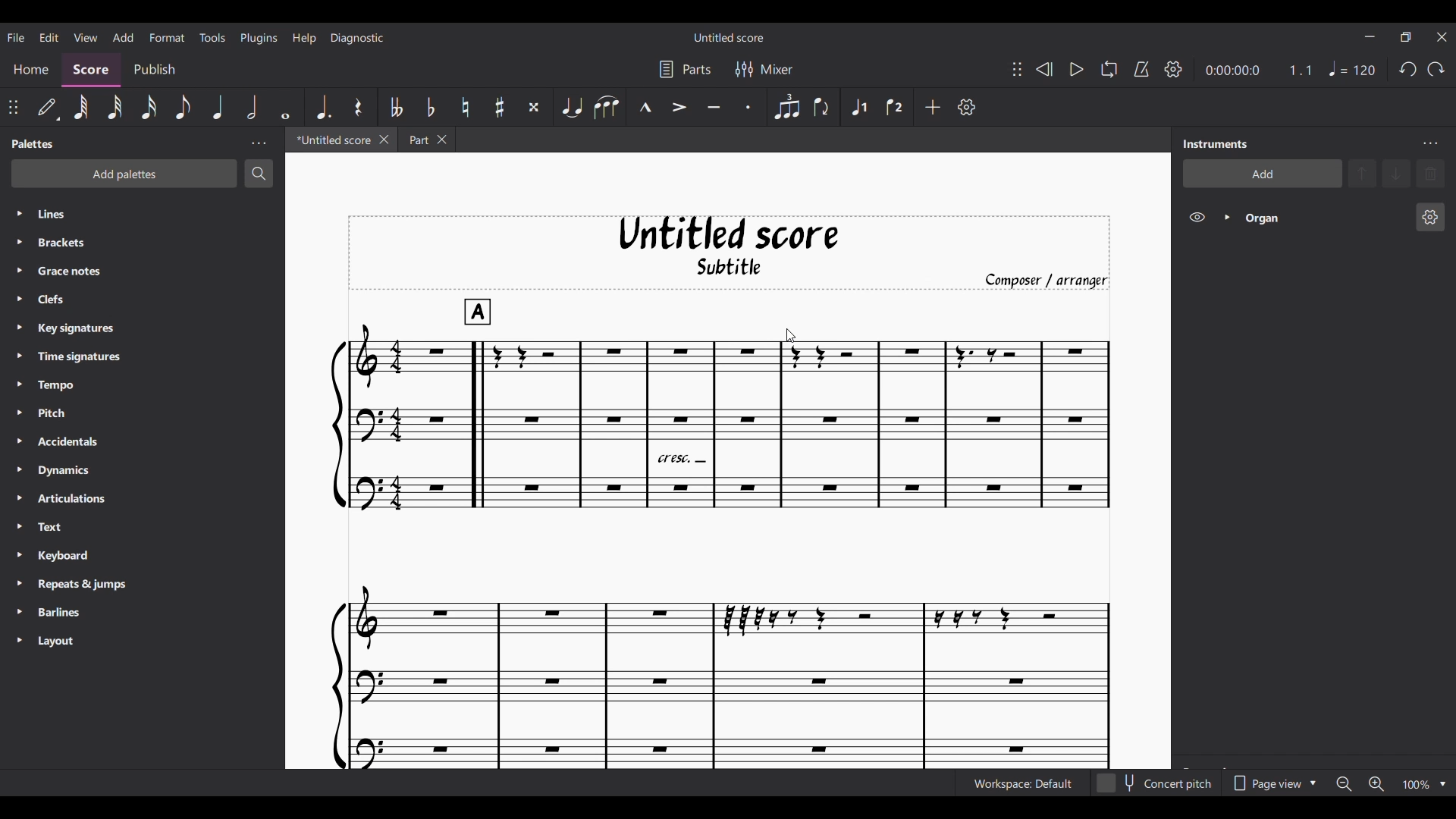 Image resolution: width=1456 pixels, height=819 pixels. What do you see at coordinates (1259, 71) in the screenshot?
I see `Current ratio and duration of score` at bounding box center [1259, 71].